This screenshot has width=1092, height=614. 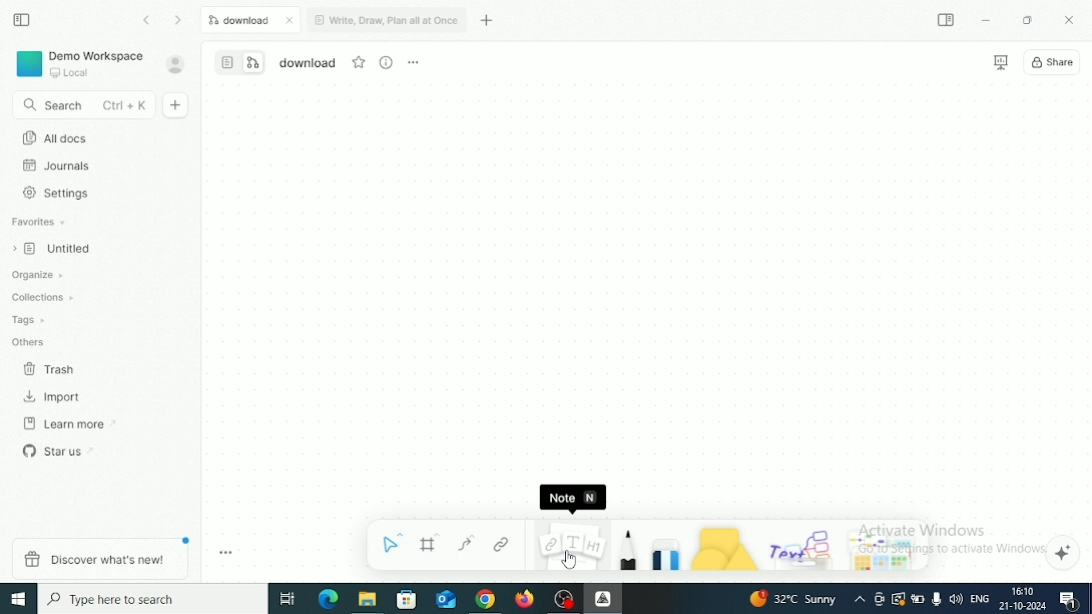 What do you see at coordinates (366, 600) in the screenshot?
I see `File Explorer` at bounding box center [366, 600].